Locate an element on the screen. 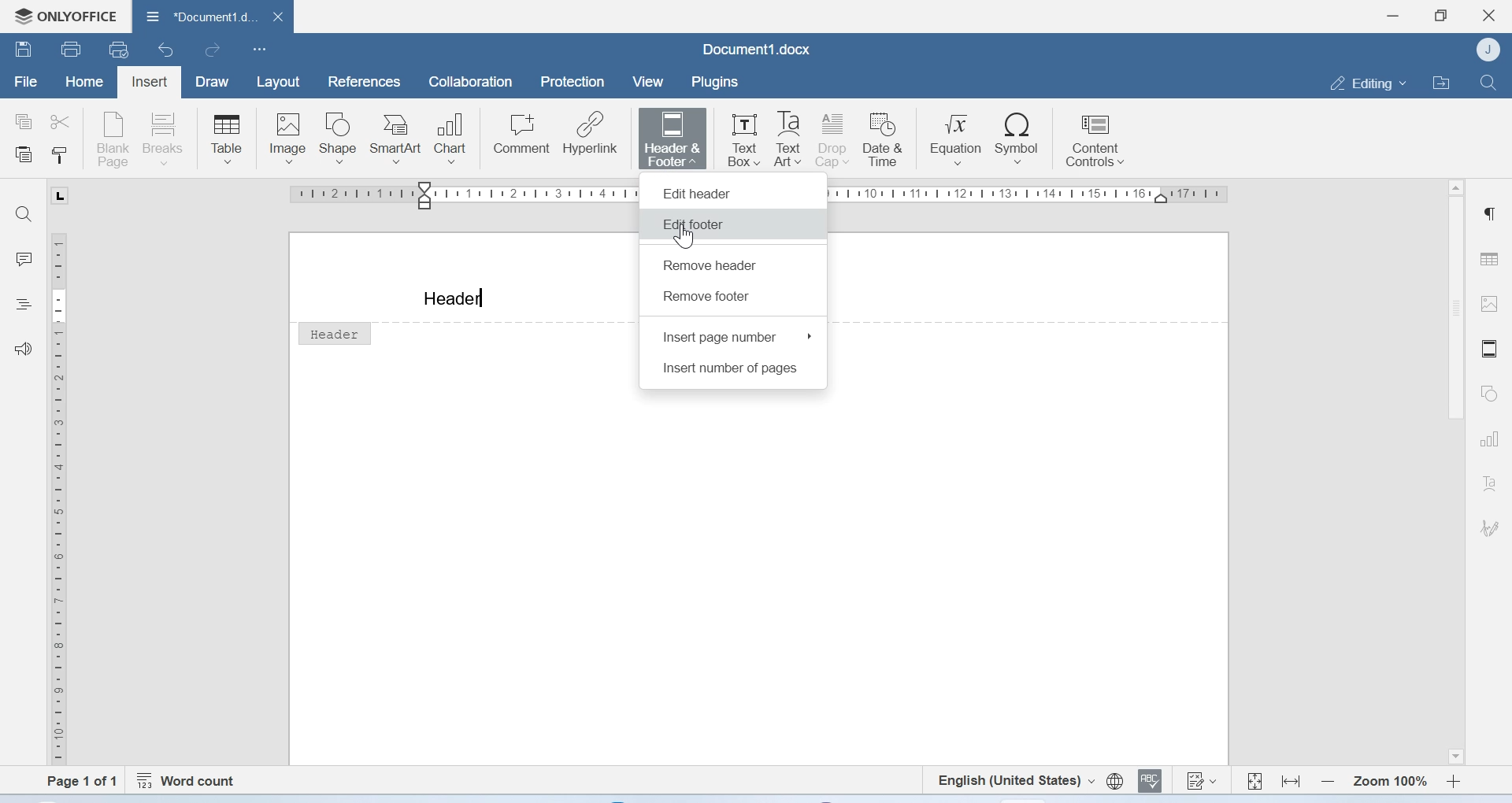 The width and height of the screenshot is (1512, 803). Scroll up is located at coordinates (1455, 187).